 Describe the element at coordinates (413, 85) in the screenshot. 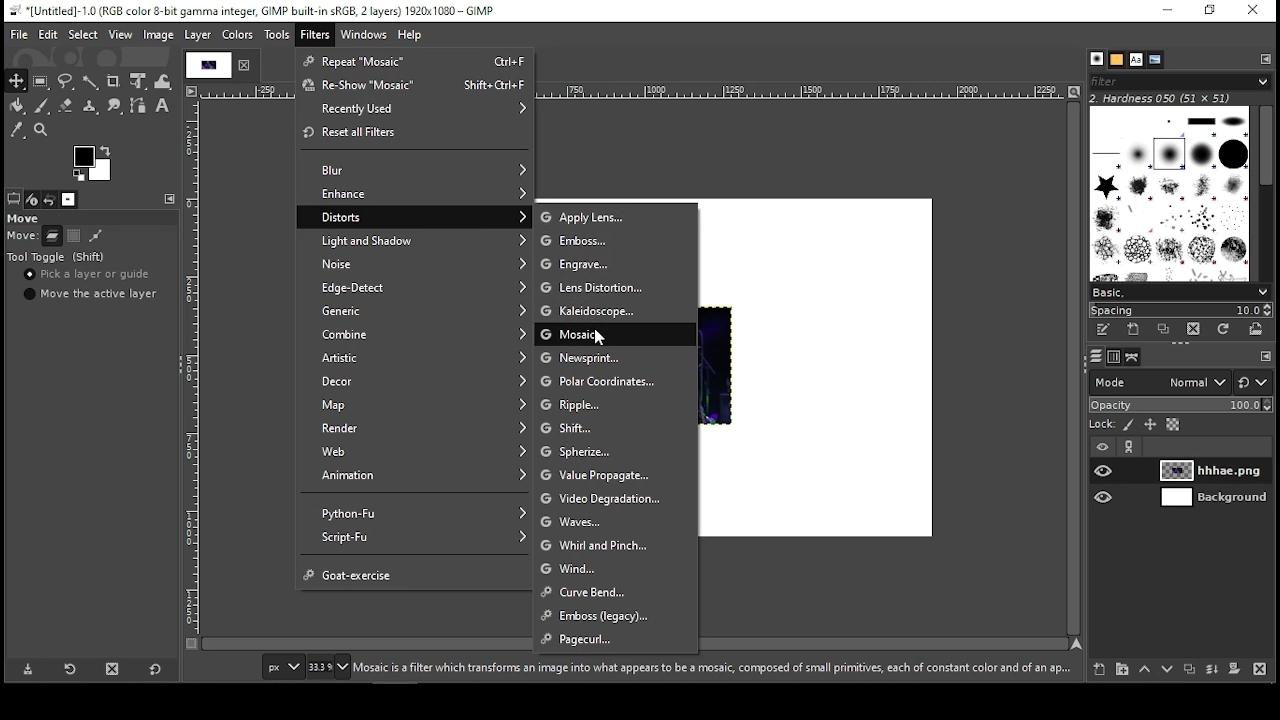

I see `reshow` at that location.